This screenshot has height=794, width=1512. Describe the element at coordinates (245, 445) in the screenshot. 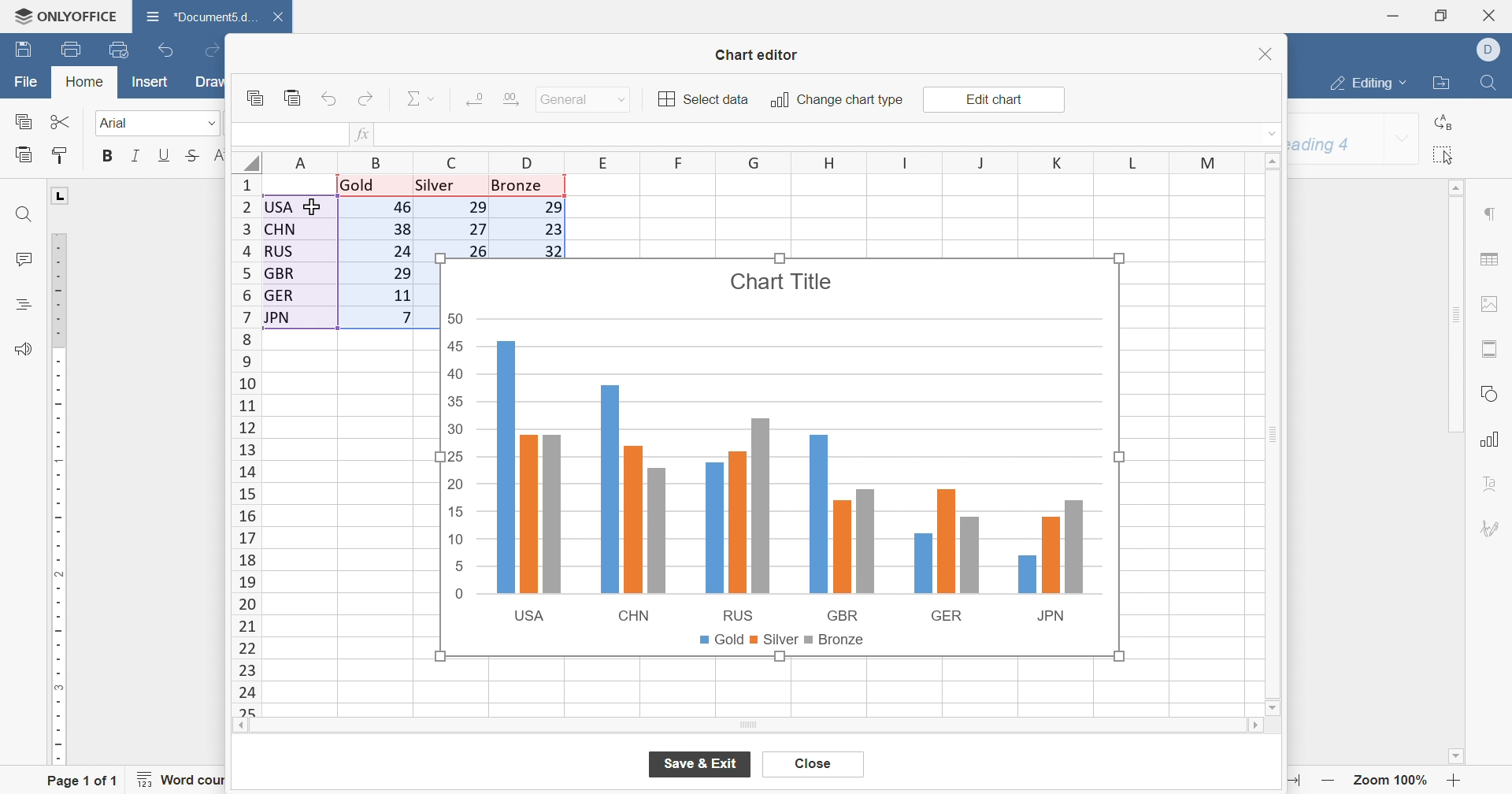

I see `row number` at that location.